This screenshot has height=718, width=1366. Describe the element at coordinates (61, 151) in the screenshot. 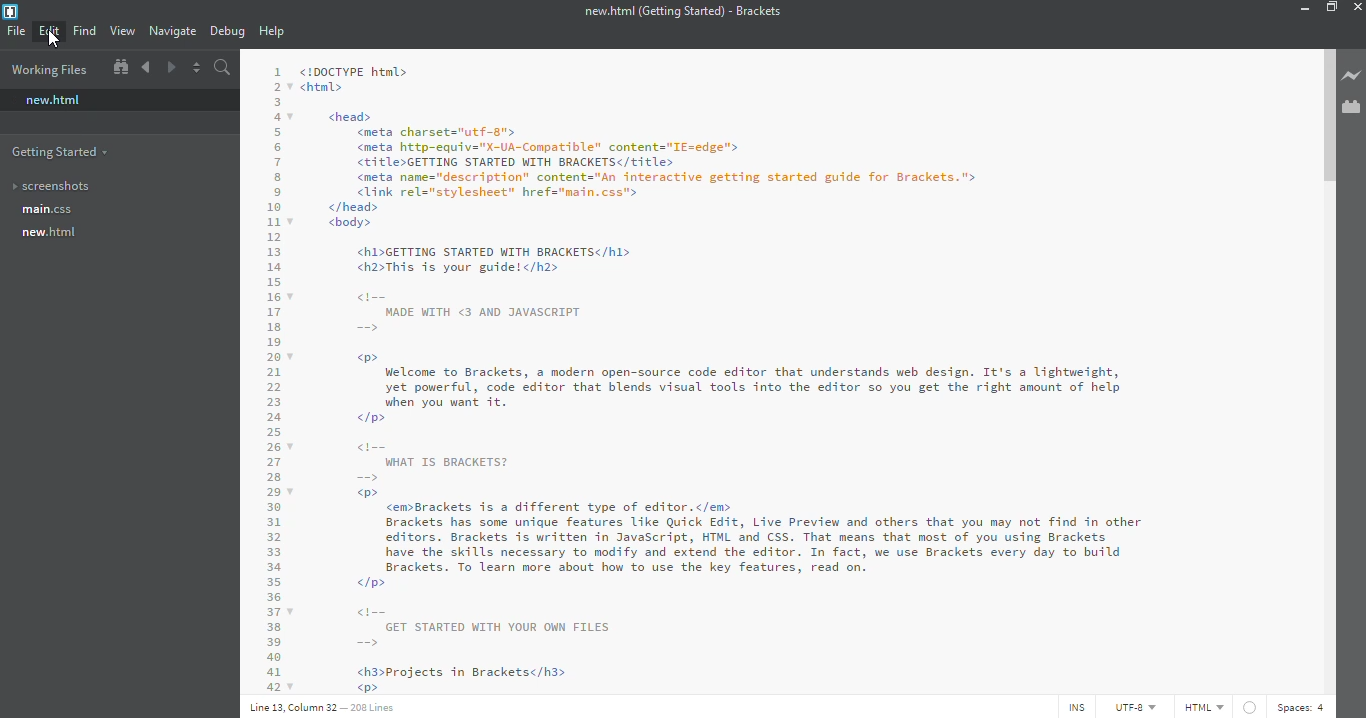

I see `getting started` at that location.